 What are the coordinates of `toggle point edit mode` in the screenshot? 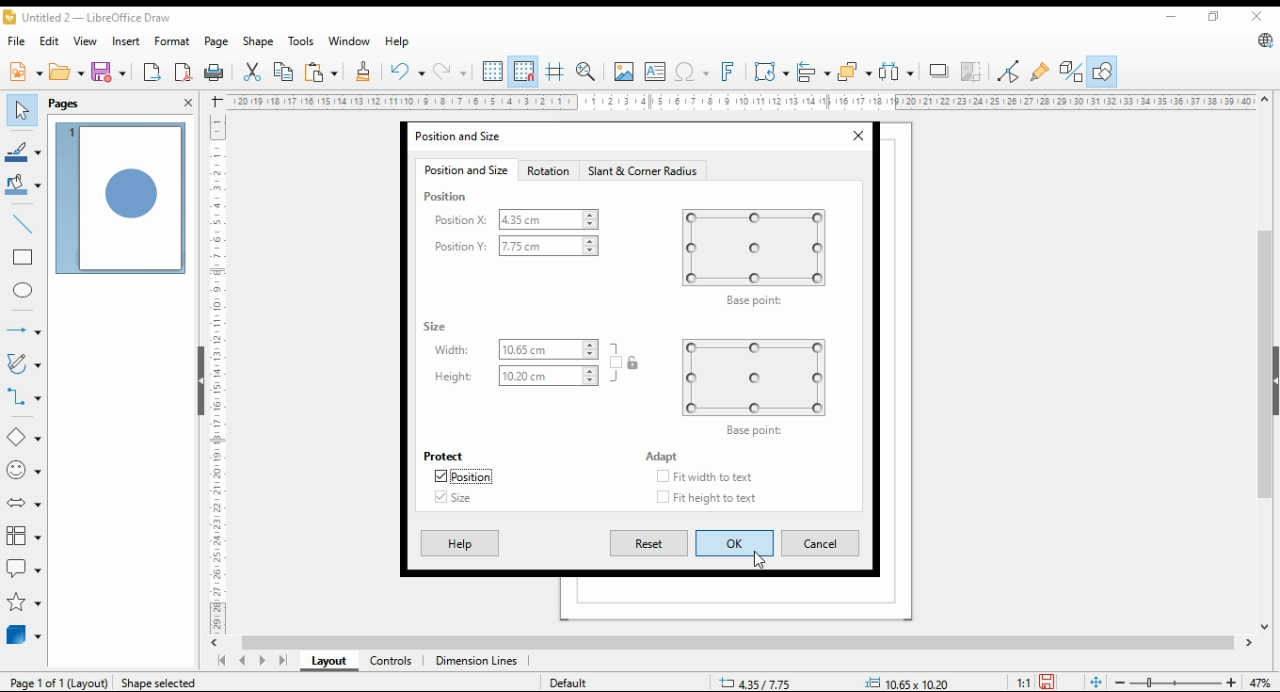 It's located at (1007, 70).